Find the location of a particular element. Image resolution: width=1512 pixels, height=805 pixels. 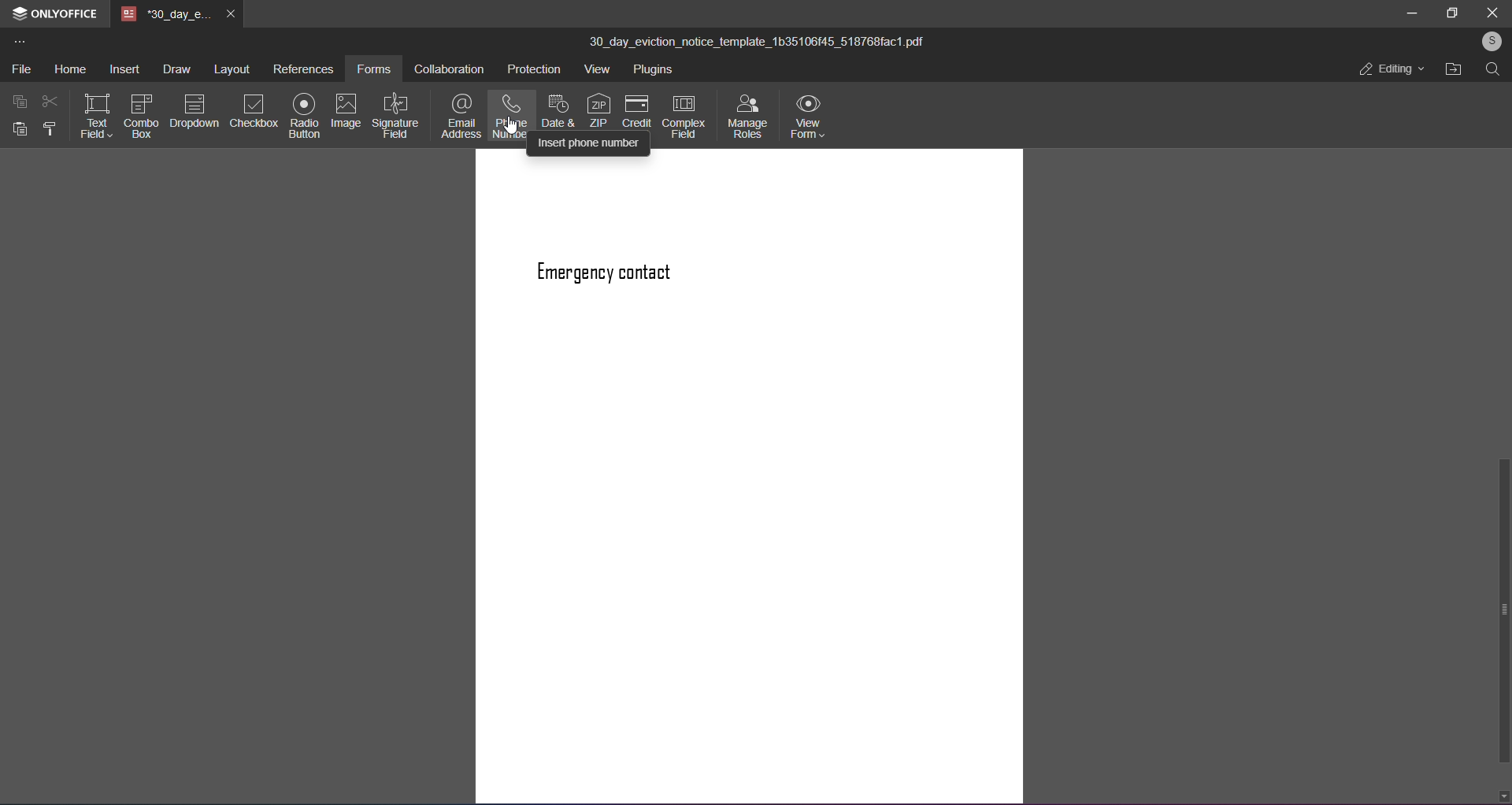

insert phone number is located at coordinates (589, 147).